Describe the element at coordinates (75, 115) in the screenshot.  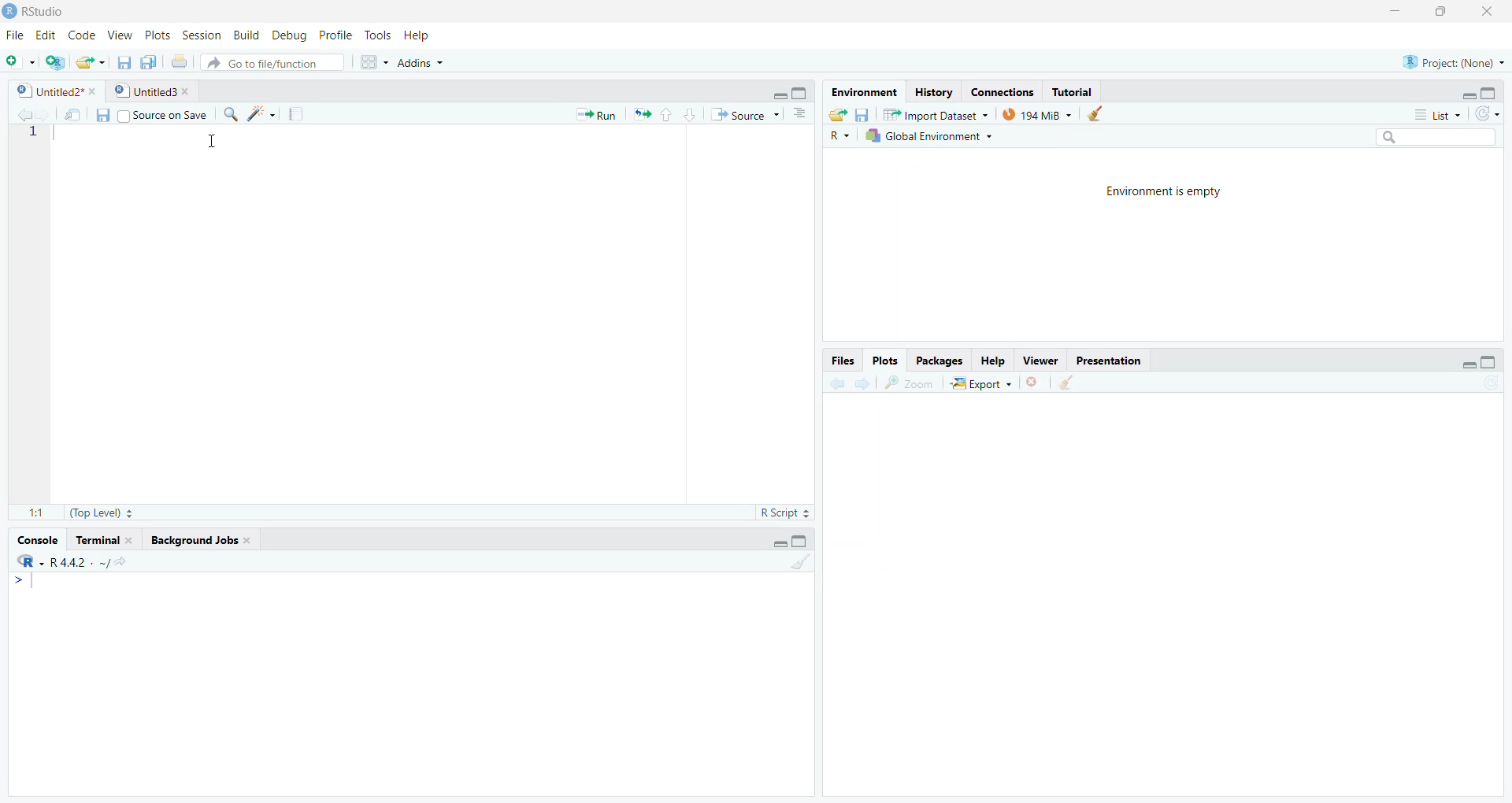
I see `show in new window` at that location.